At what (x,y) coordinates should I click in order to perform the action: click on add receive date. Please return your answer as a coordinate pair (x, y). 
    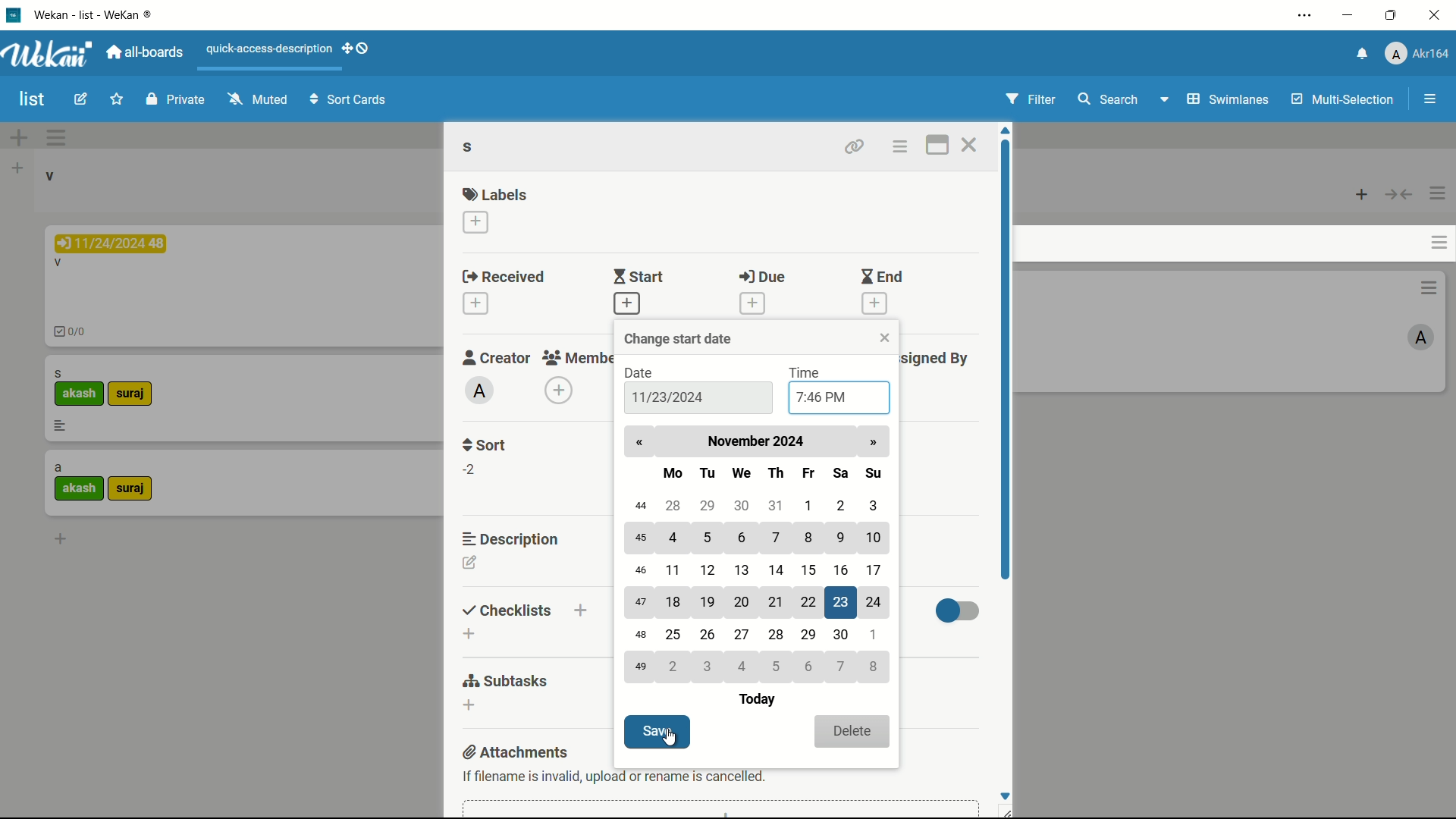
    Looking at the image, I should click on (475, 303).